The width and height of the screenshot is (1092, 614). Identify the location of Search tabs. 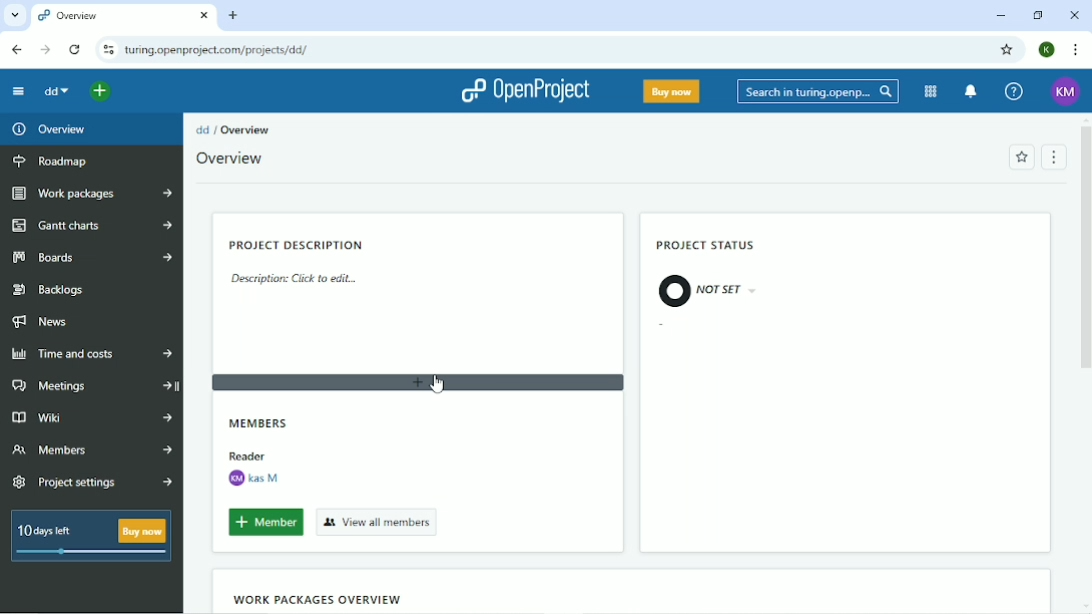
(14, 15).